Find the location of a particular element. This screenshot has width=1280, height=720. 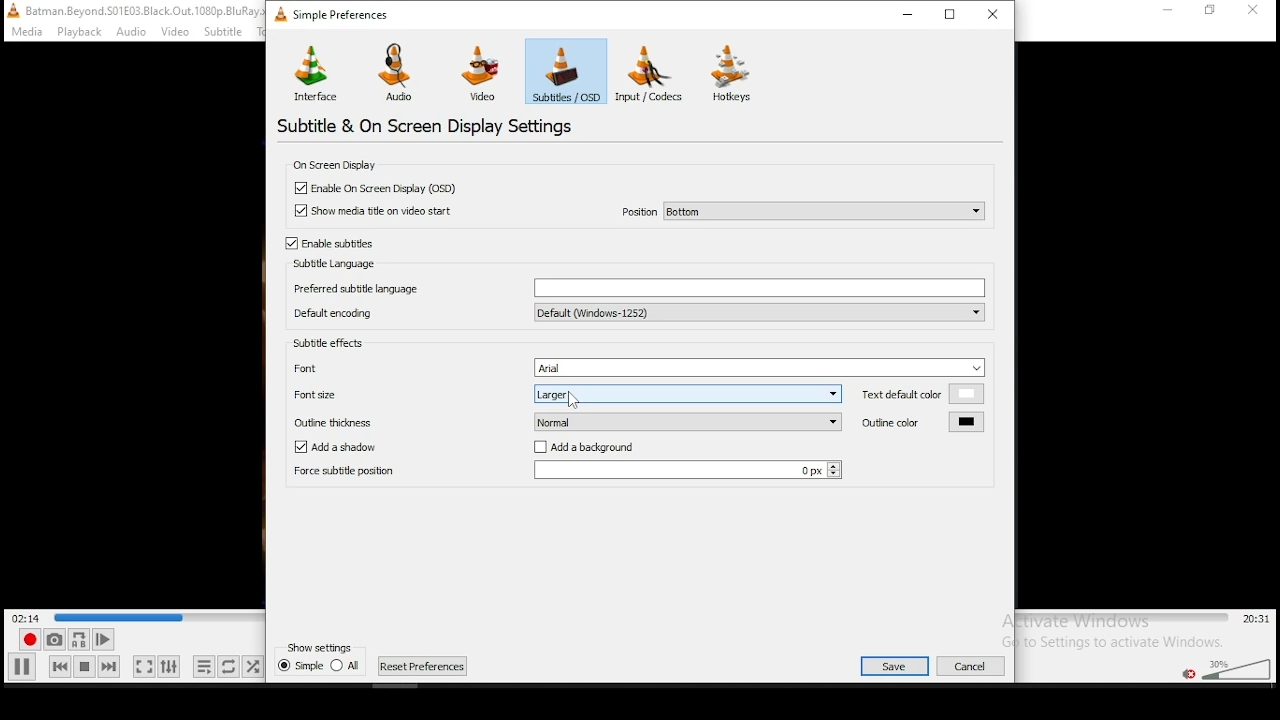

checkbox: add a shadow is located at coordinates (336, 447).